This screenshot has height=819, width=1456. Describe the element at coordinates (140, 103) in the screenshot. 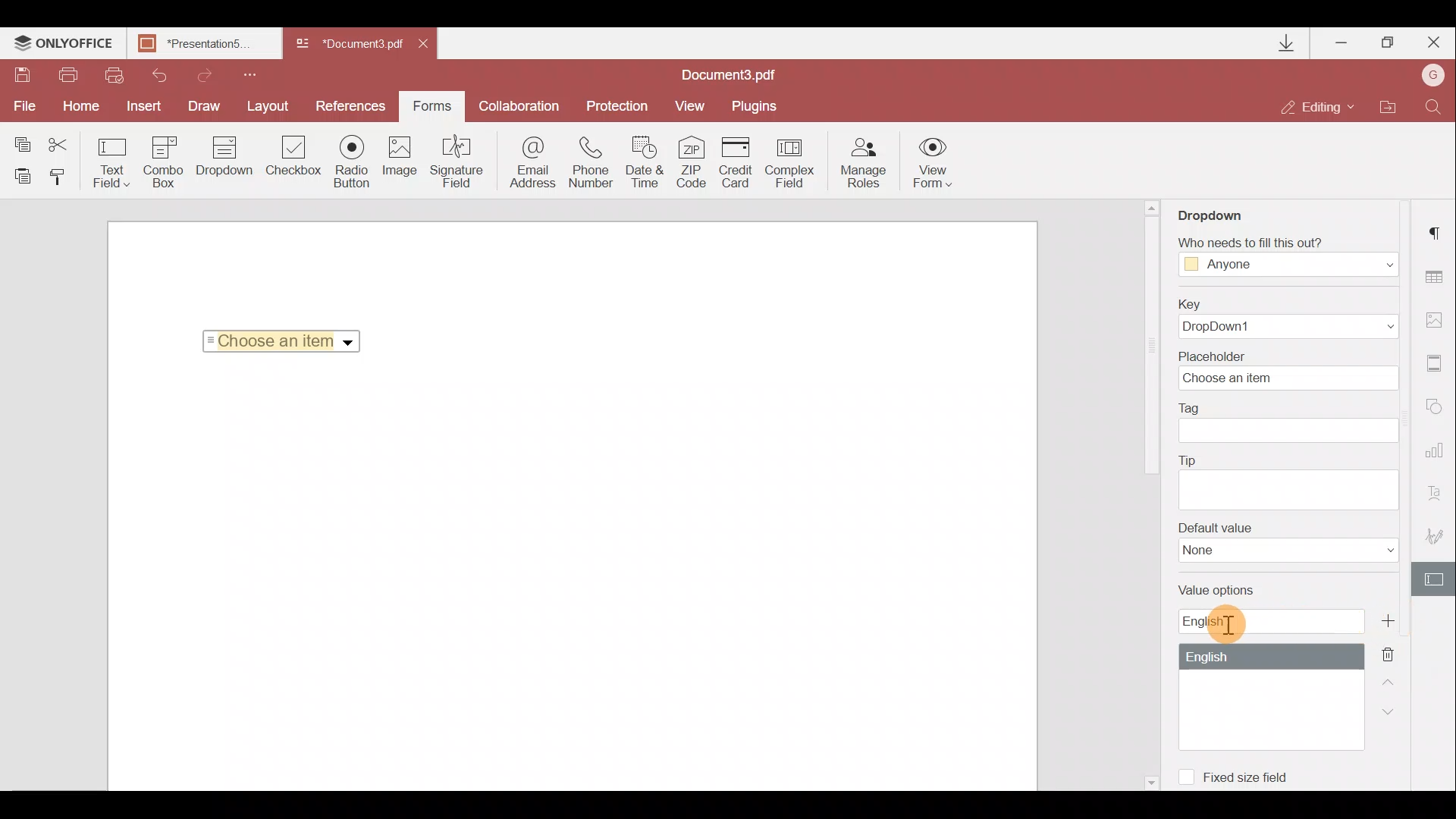

I see `Insert` at that location.